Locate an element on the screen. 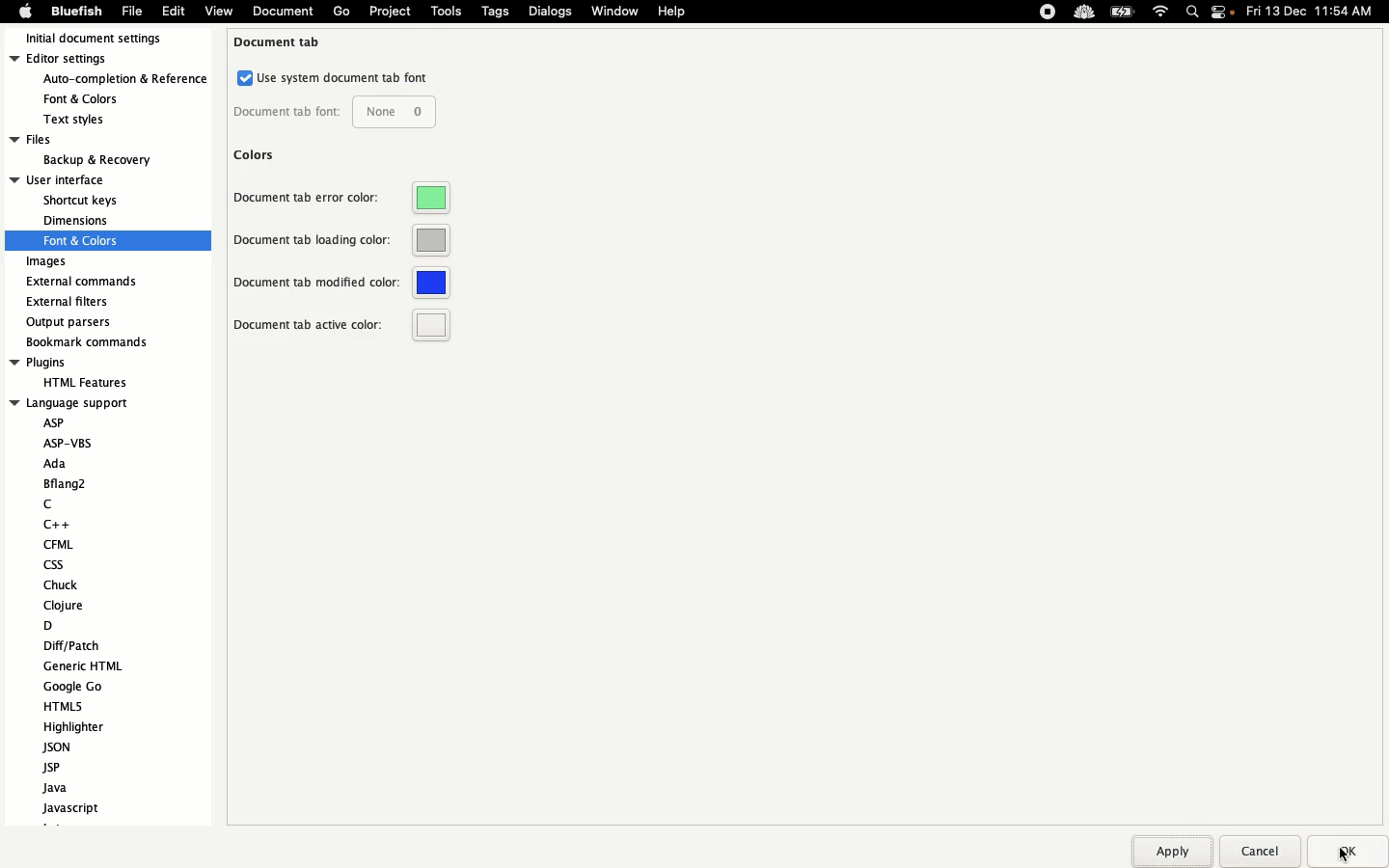 This screenshot has width=1389, height=868. Date time is located at coordinates (1316, 11).